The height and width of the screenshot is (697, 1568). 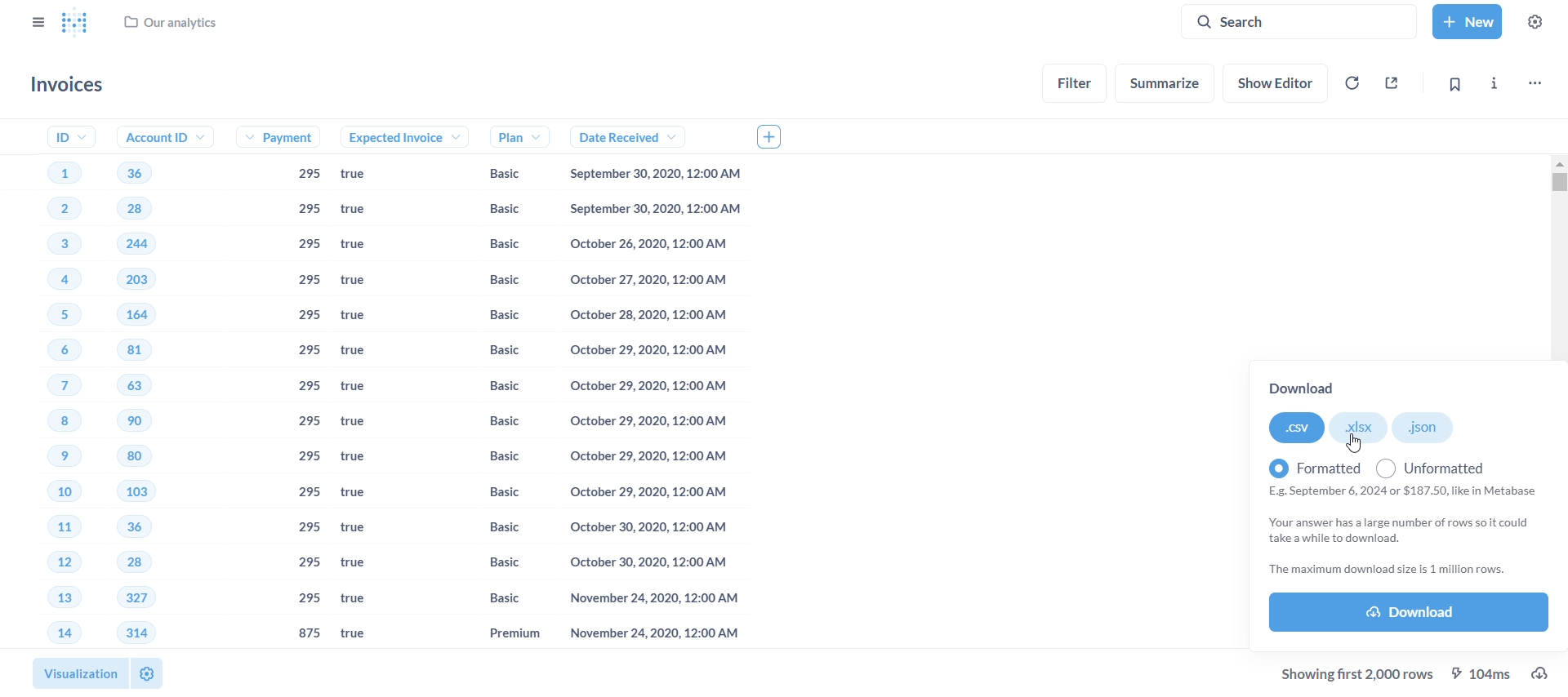 I want to click on download, so click(x=1548, y=673).